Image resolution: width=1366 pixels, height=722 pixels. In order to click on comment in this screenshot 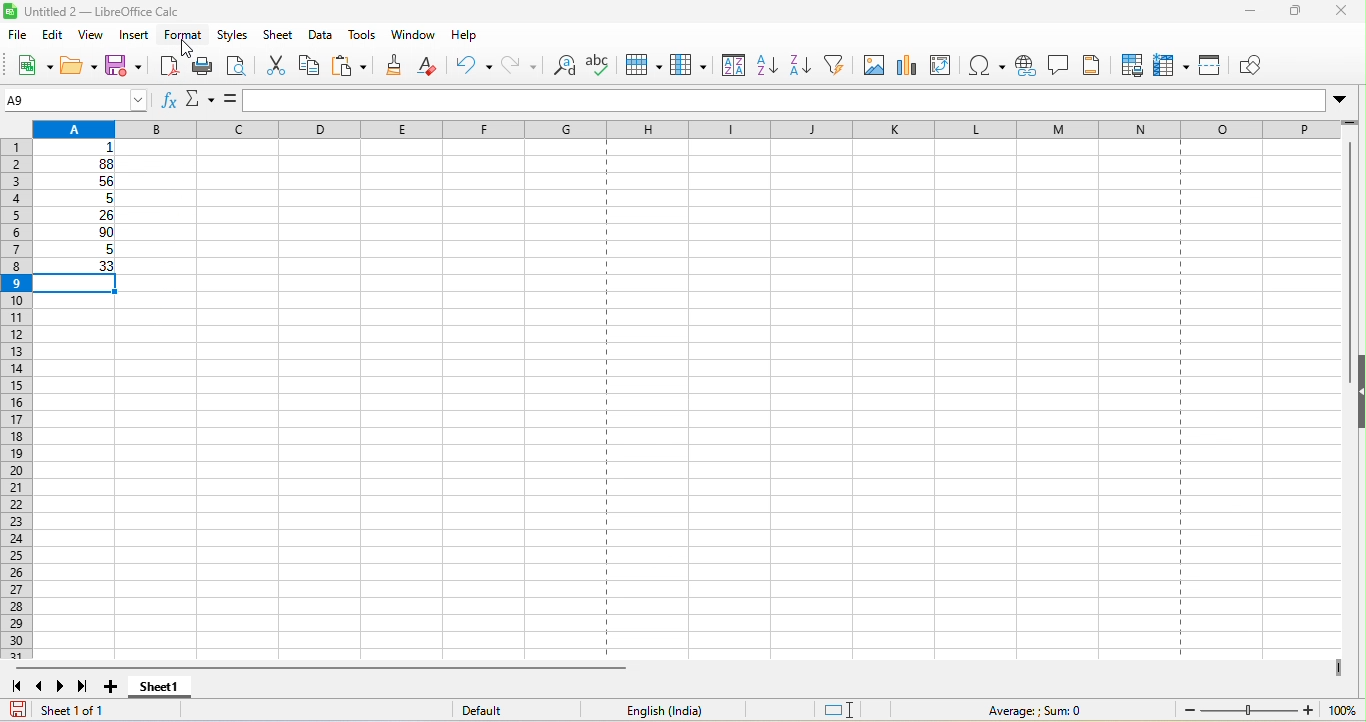, I will do `click(1058, 65)`.